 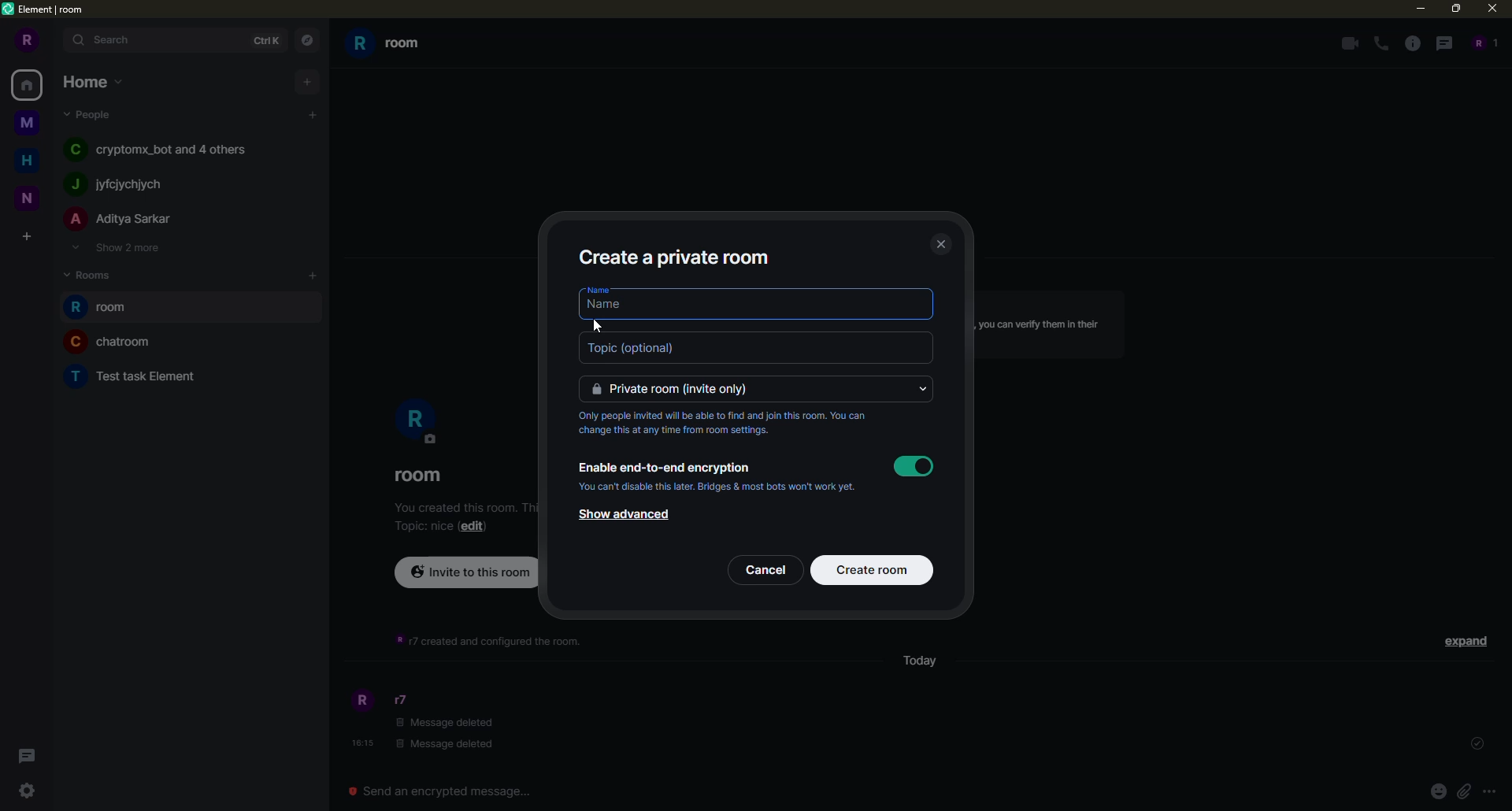 What do you see at coordinates (31, 161) in the screenshot?
I see `home` at bounding box center [31, 161].